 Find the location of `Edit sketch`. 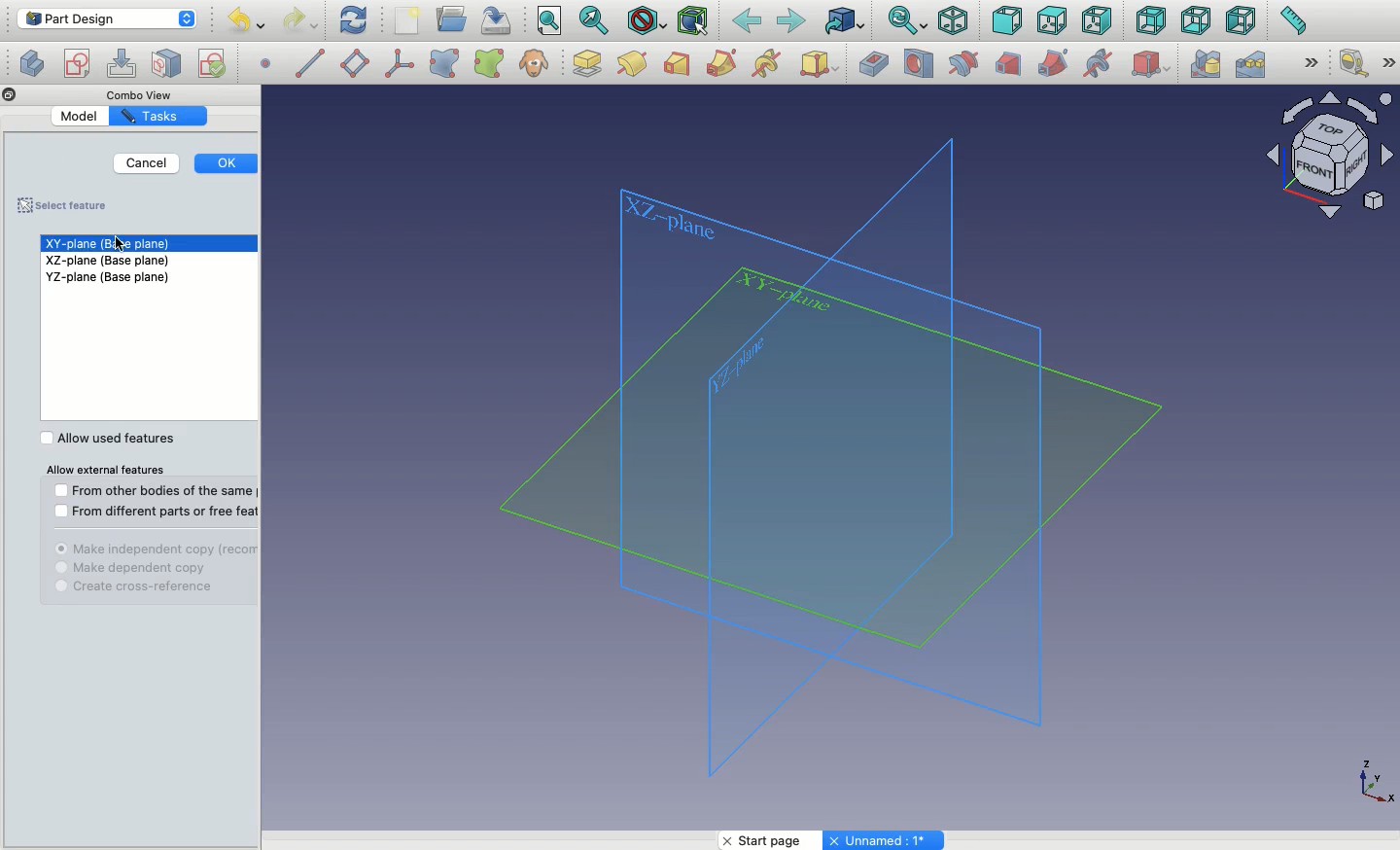

Edit sketch is located at coordinates (122, 64).